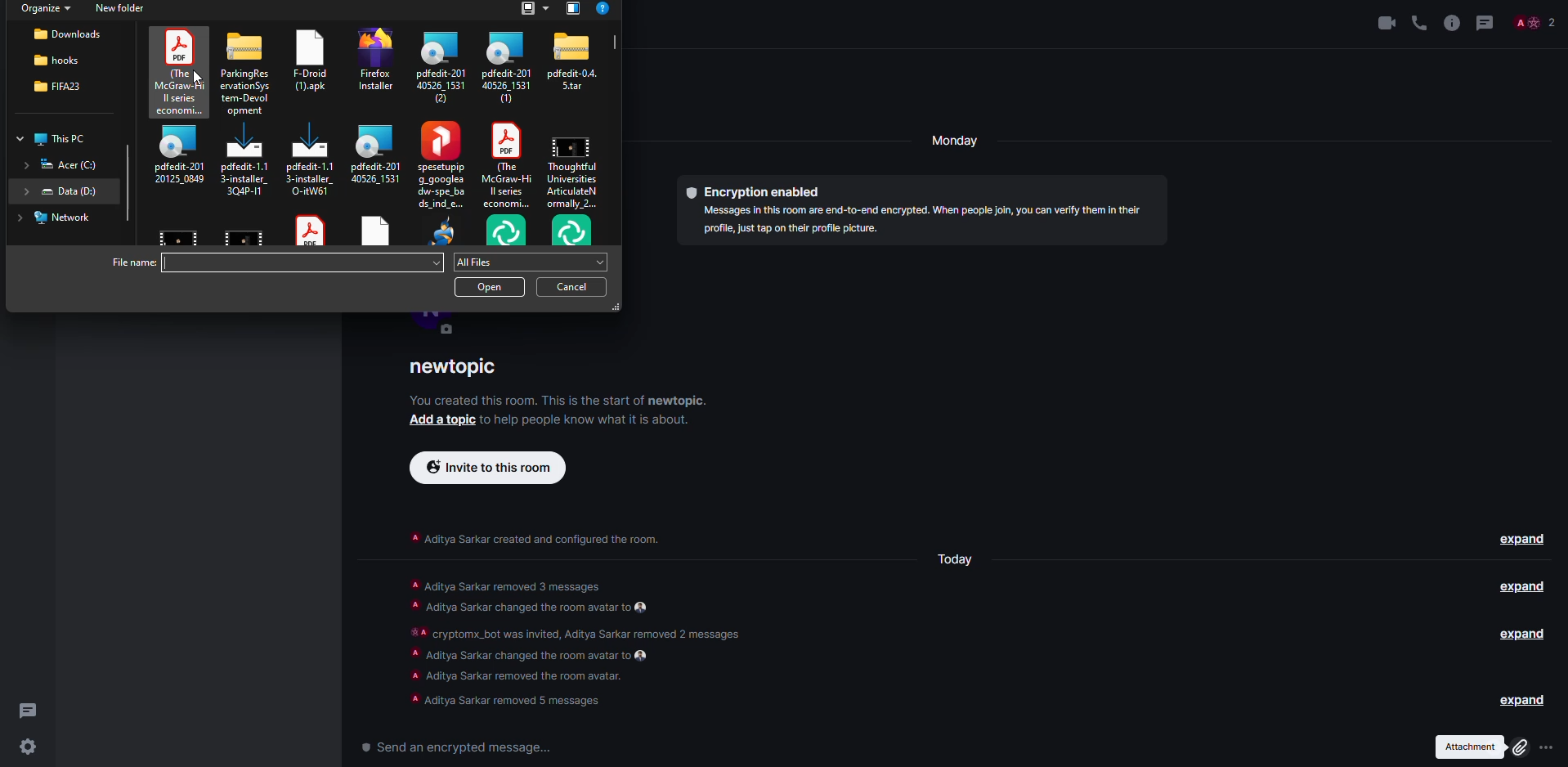 The image size is (1568, 767). What do you see at coordinates (375, 230) in the screenshot?
I see `` at bounding box center [375, 230].